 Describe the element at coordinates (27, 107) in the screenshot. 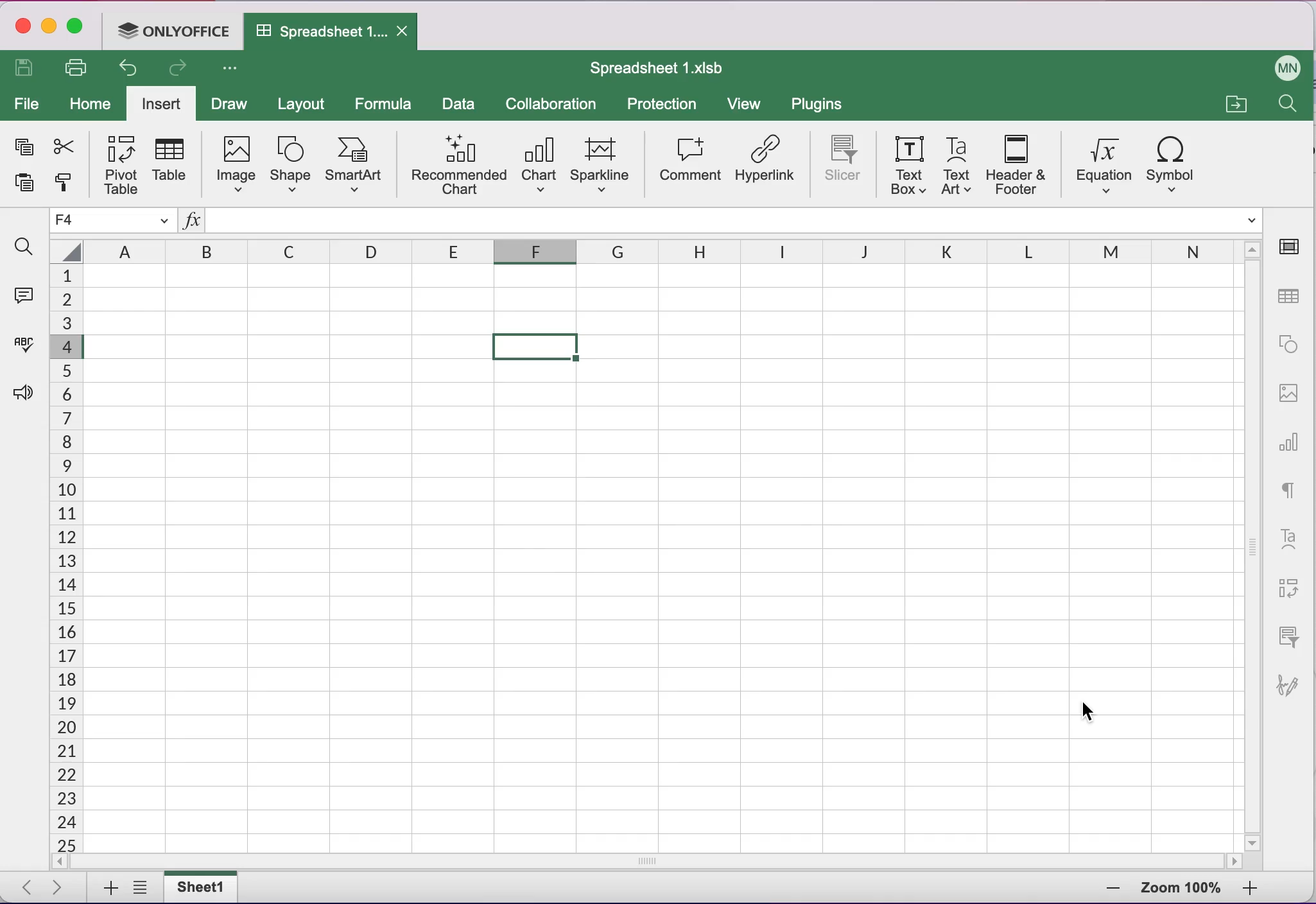

I see `file` at that location.